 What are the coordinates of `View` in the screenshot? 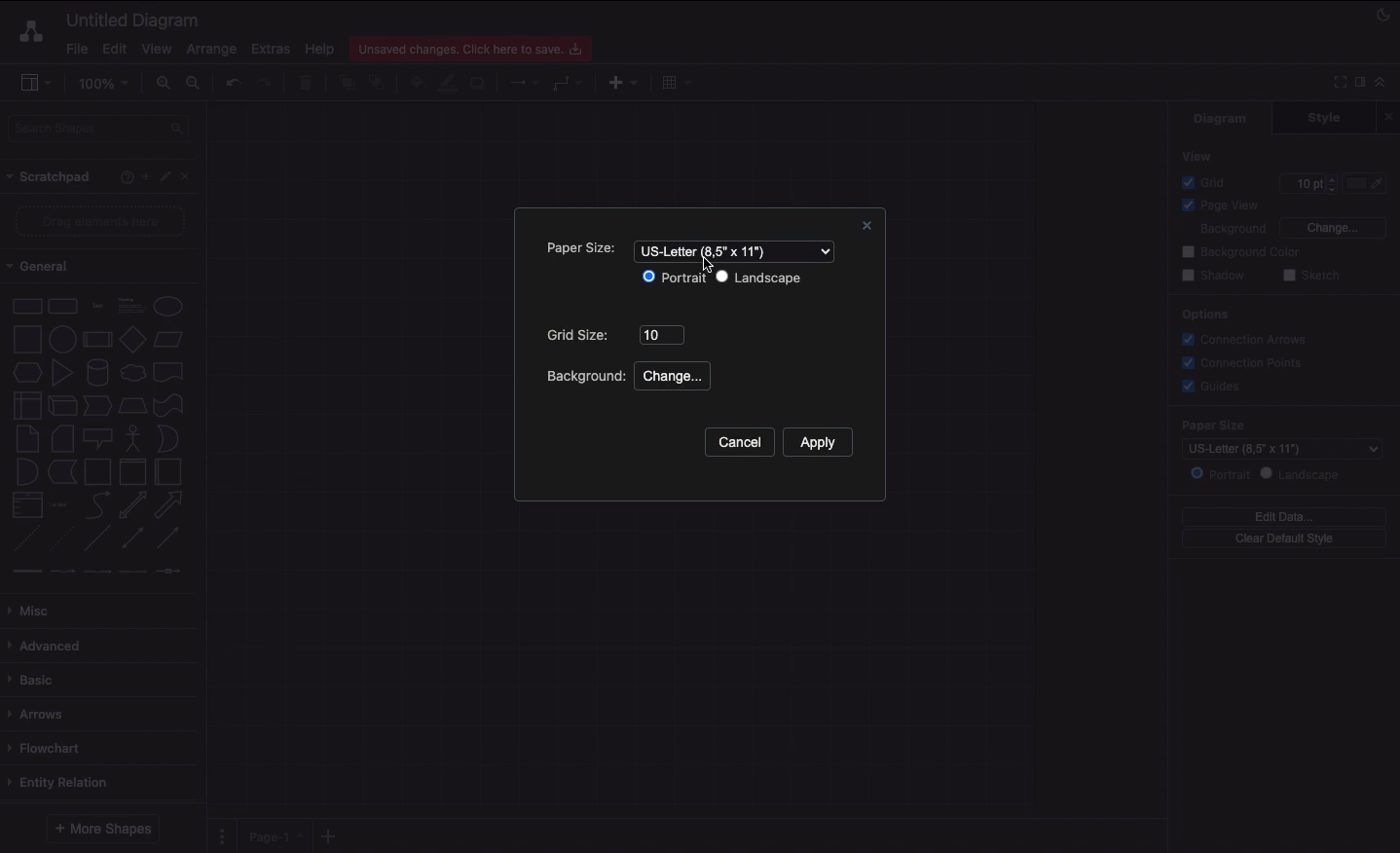 It's located at (157, 46).